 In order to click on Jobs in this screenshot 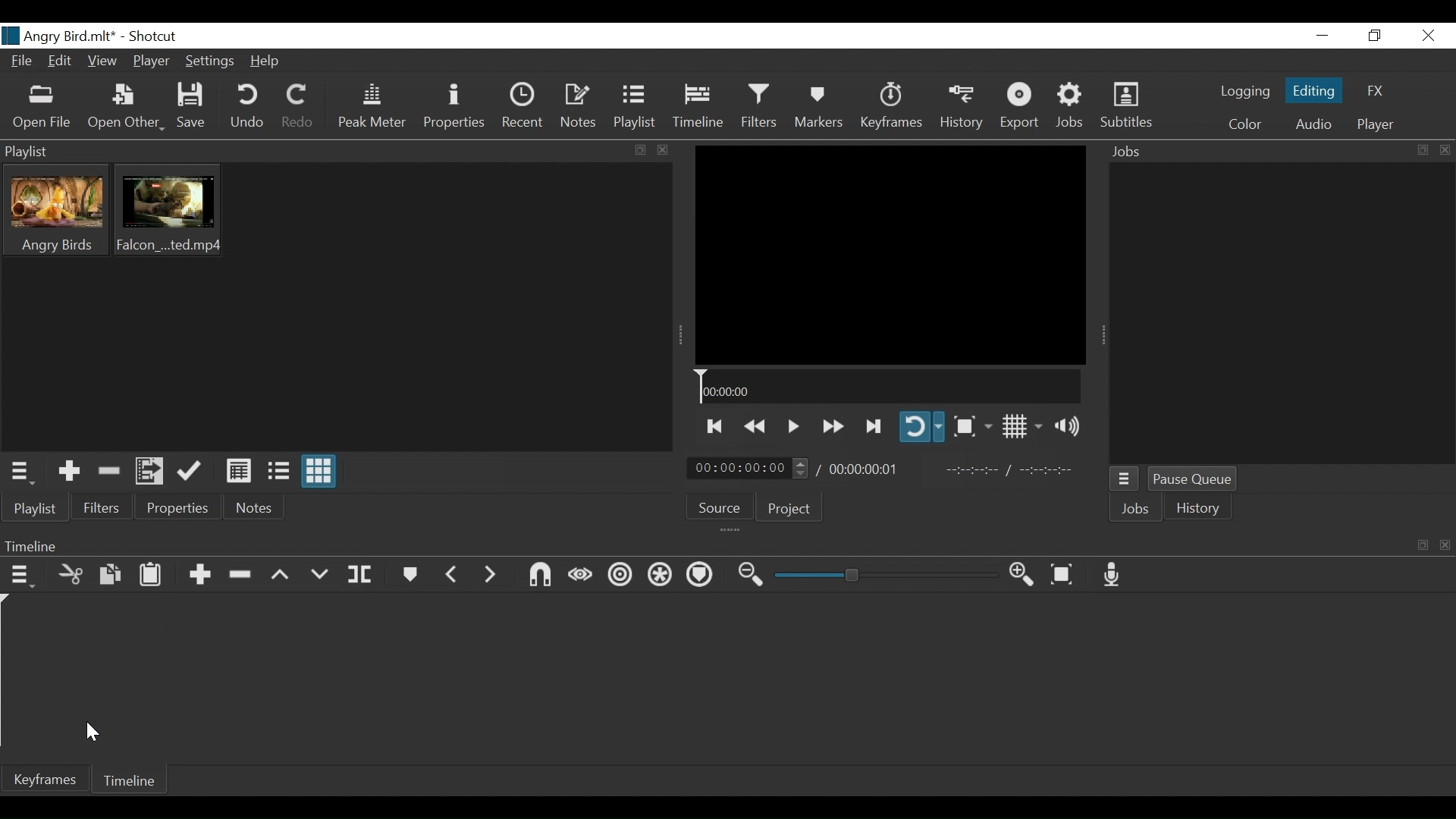, I will do `click(1135, 509)`.